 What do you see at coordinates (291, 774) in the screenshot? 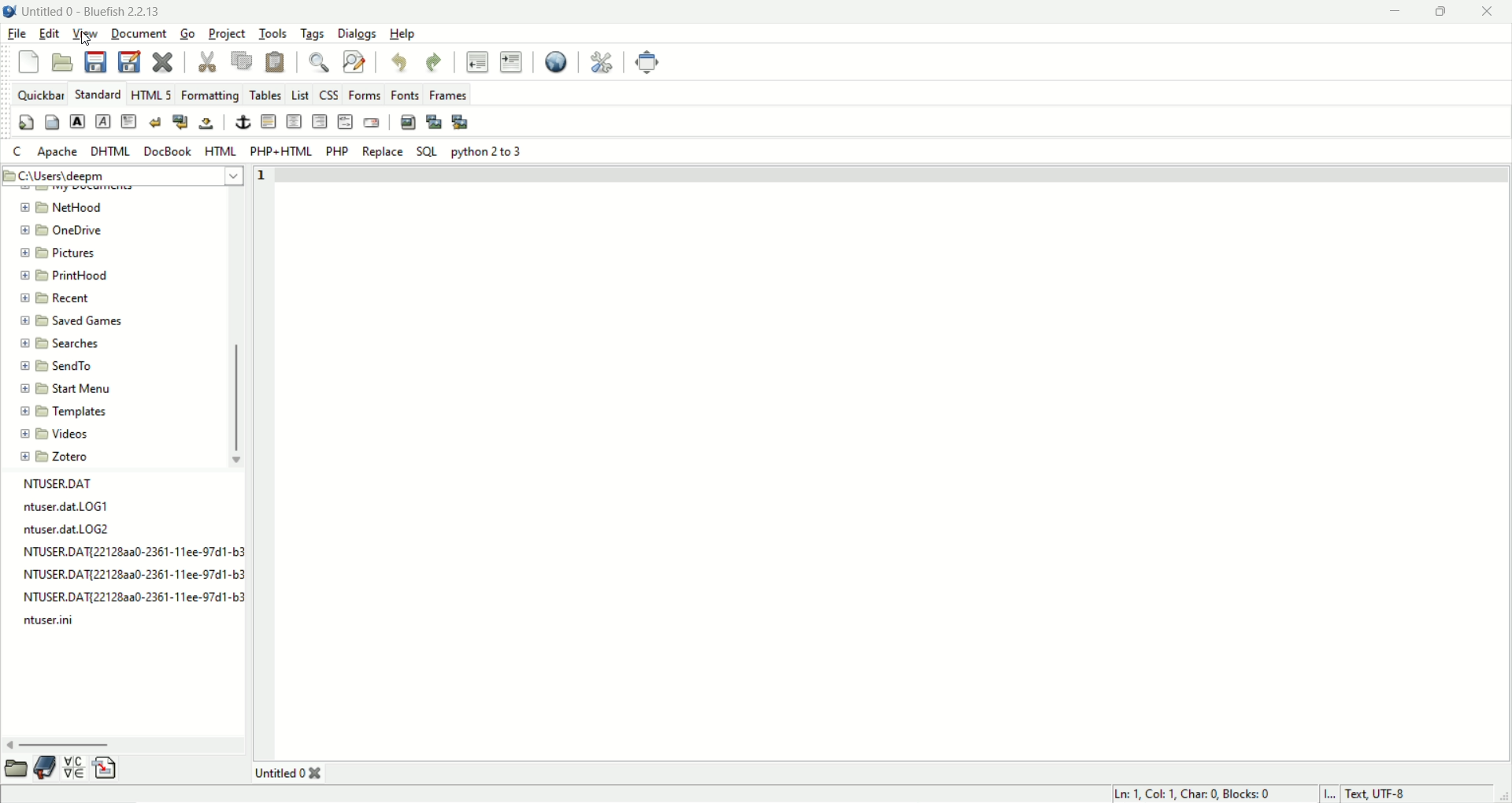
I see `title` at bounding box center [291, 774].